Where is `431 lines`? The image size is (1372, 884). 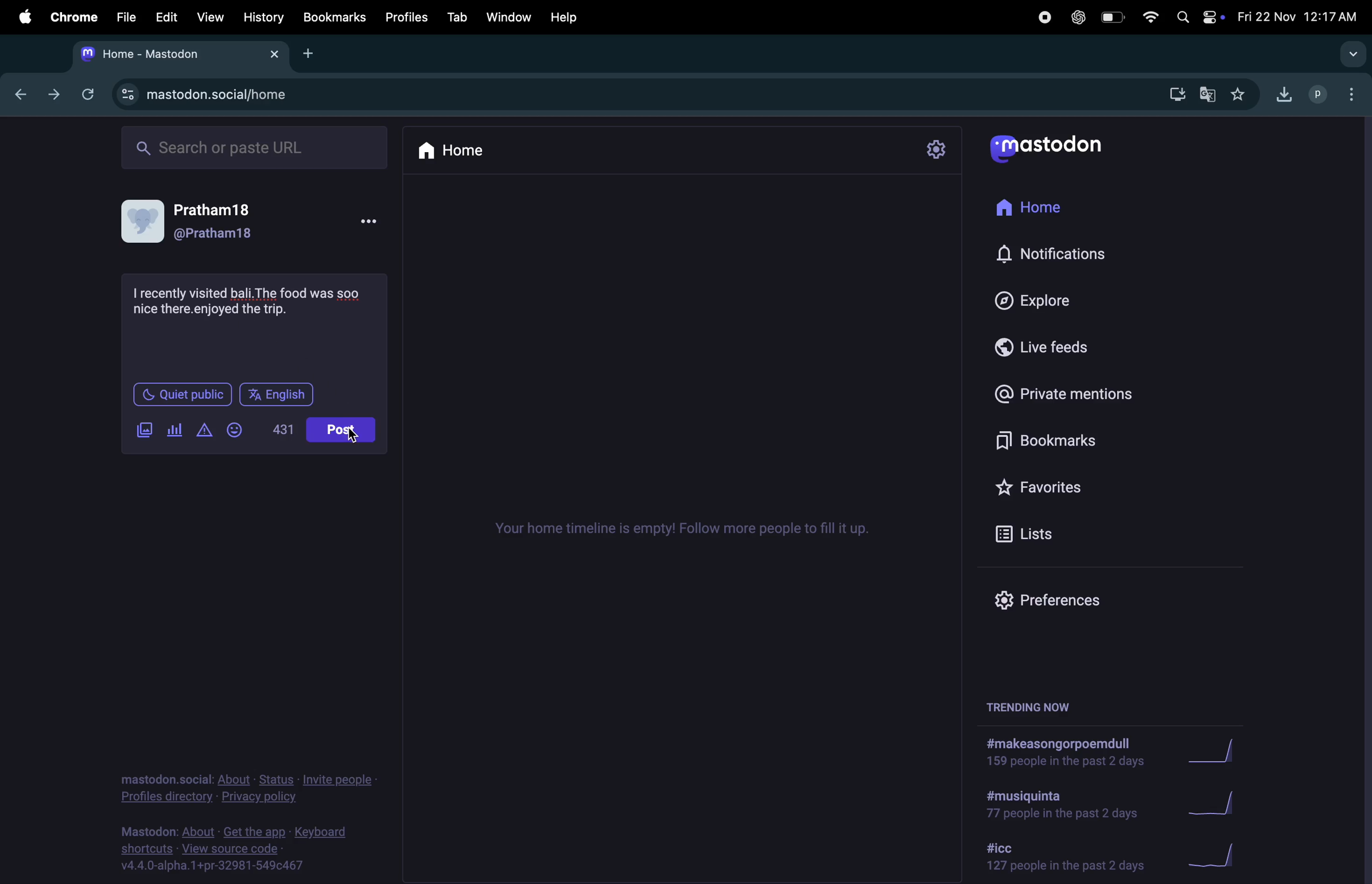
431 lines is located at coordinates (280, 429).